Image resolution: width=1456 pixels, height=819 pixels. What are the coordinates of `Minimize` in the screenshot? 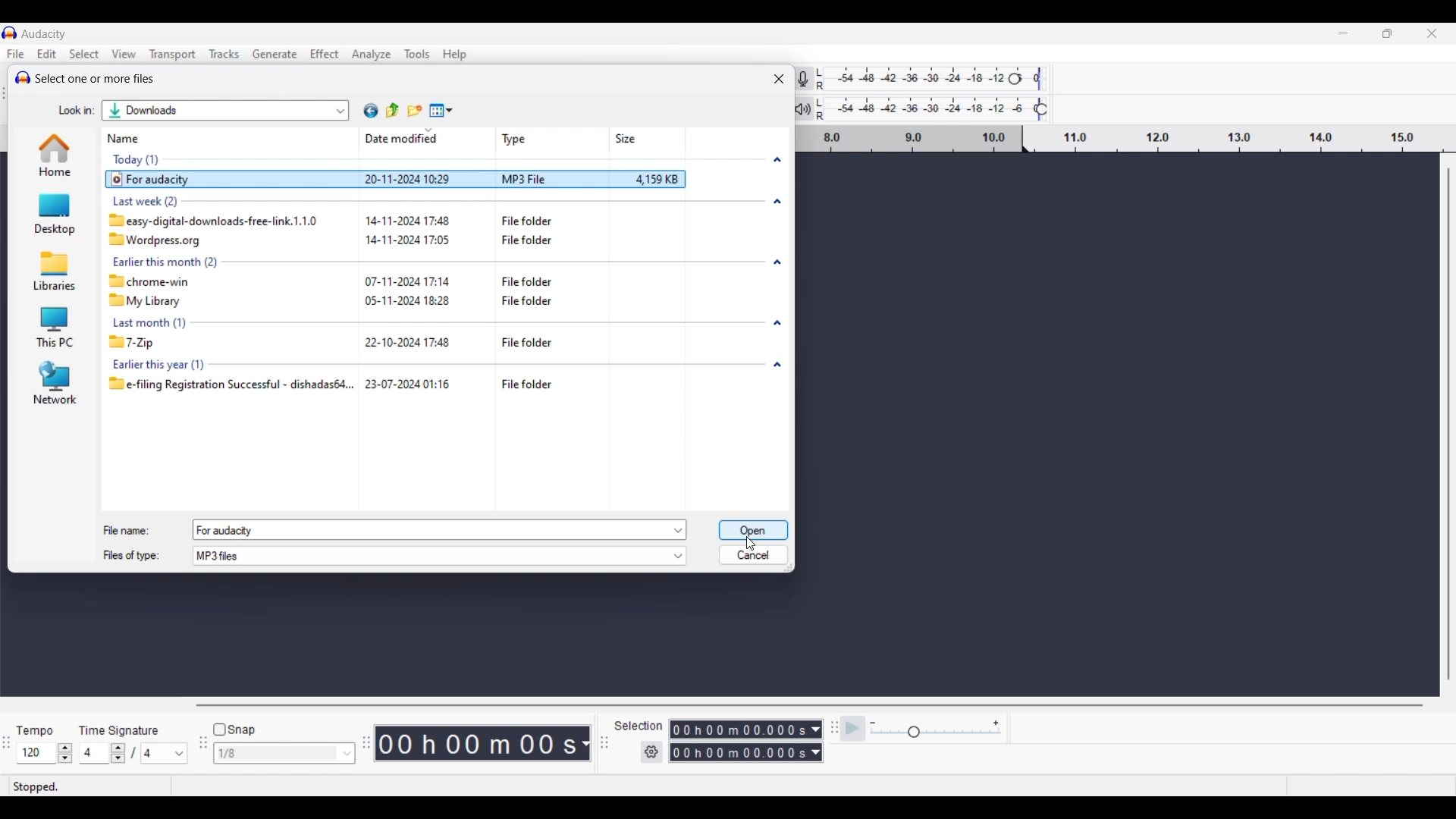 It's located at (1343, 33).